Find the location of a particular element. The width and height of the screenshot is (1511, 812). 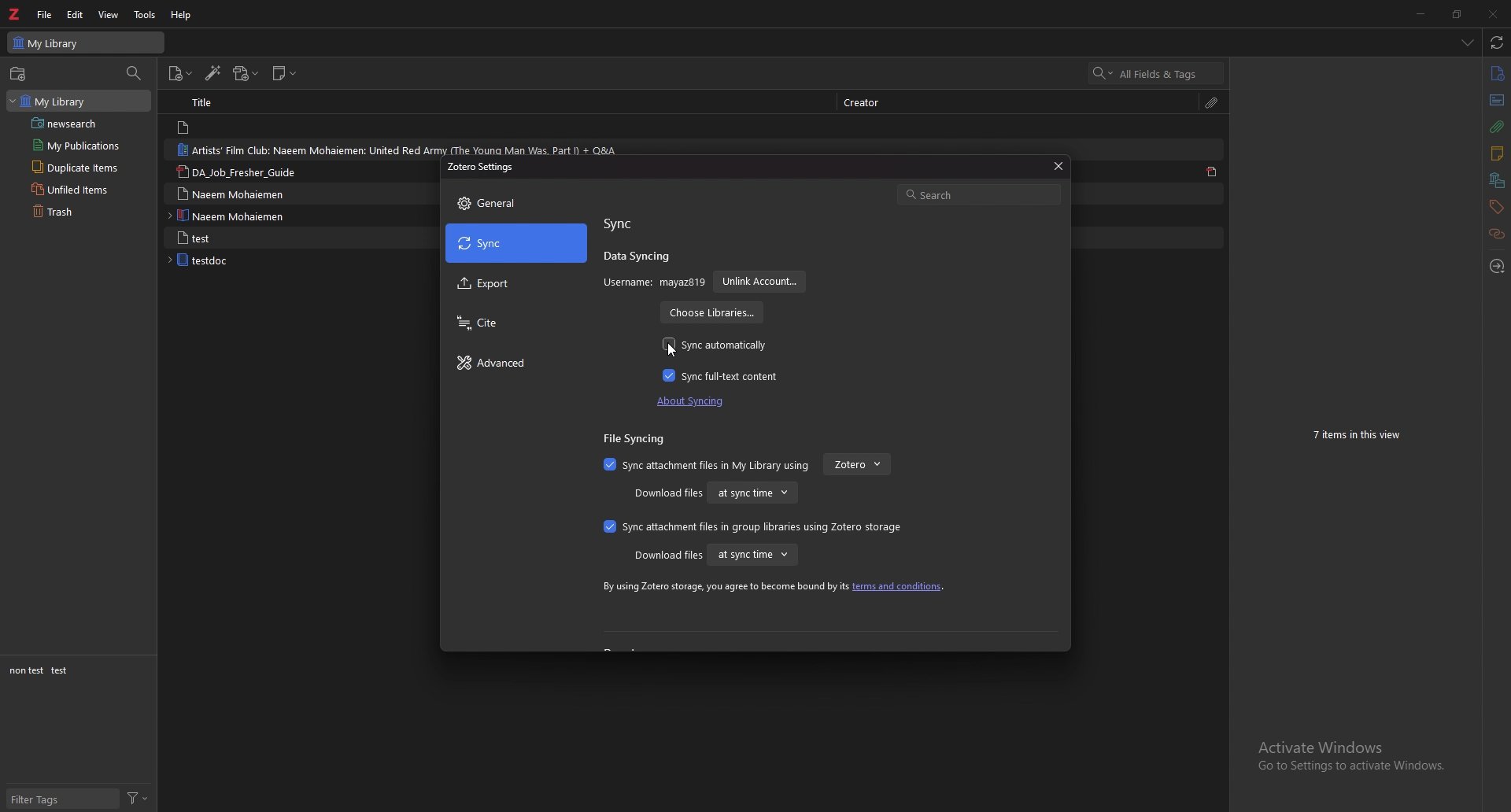

username: mayaz819 is located at coordinates (654, 282).